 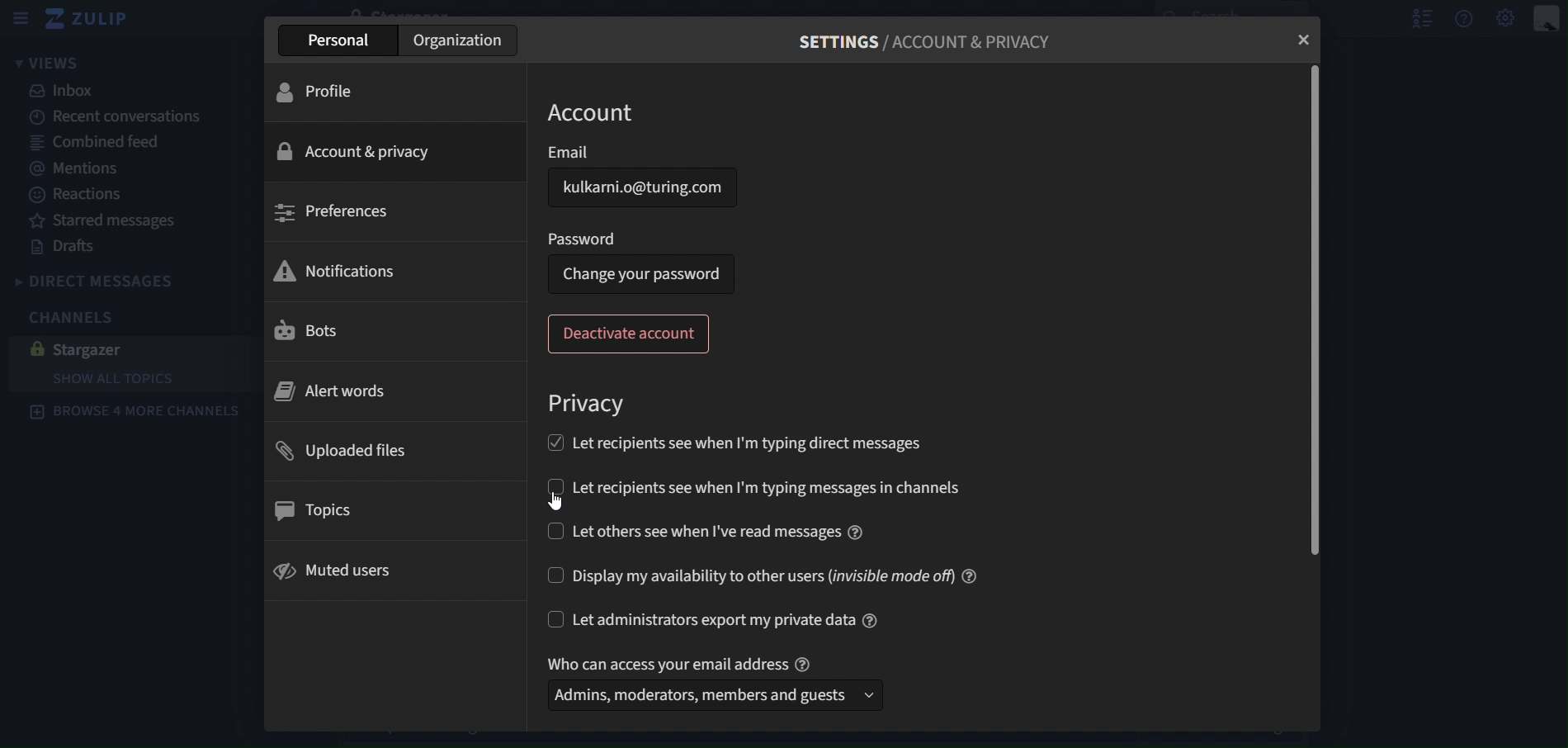 I want to click on zulip, so click(x=96, y=22).